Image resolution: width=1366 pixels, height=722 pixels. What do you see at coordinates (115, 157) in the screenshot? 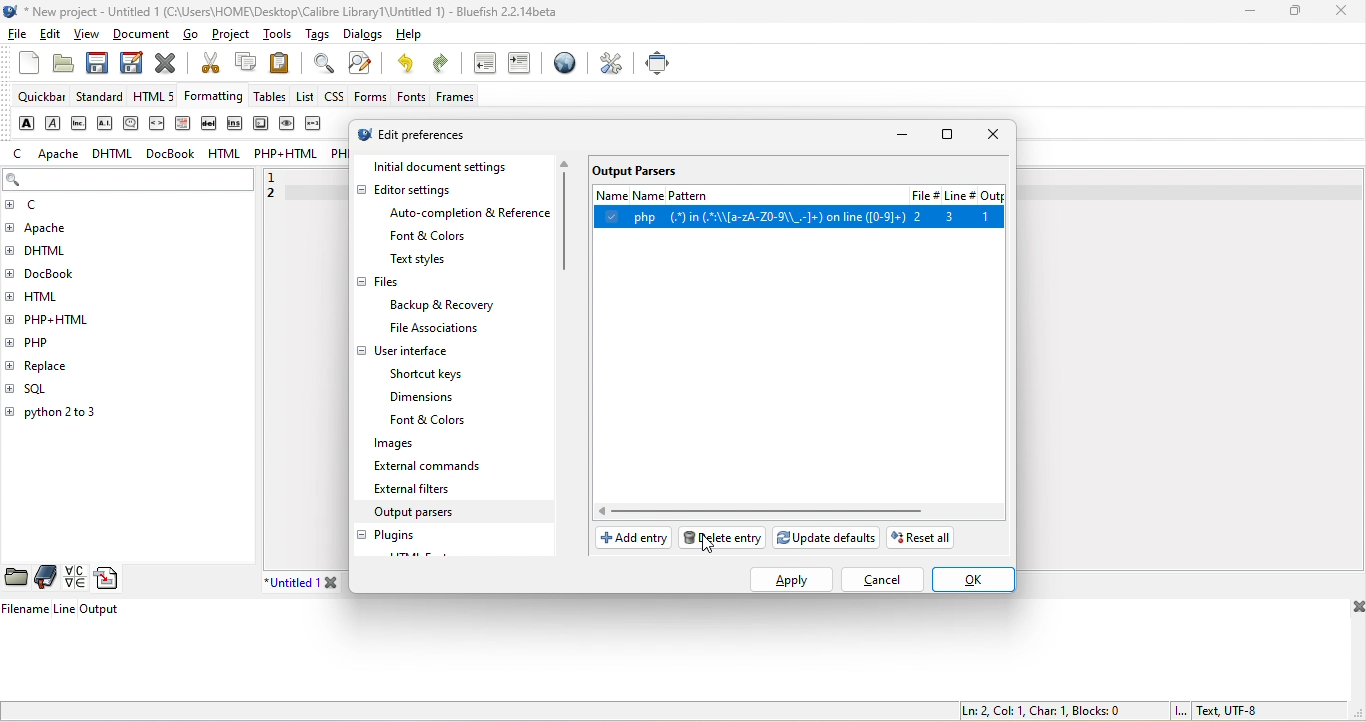
I see `dhtml` at bounding box center [115, 157].